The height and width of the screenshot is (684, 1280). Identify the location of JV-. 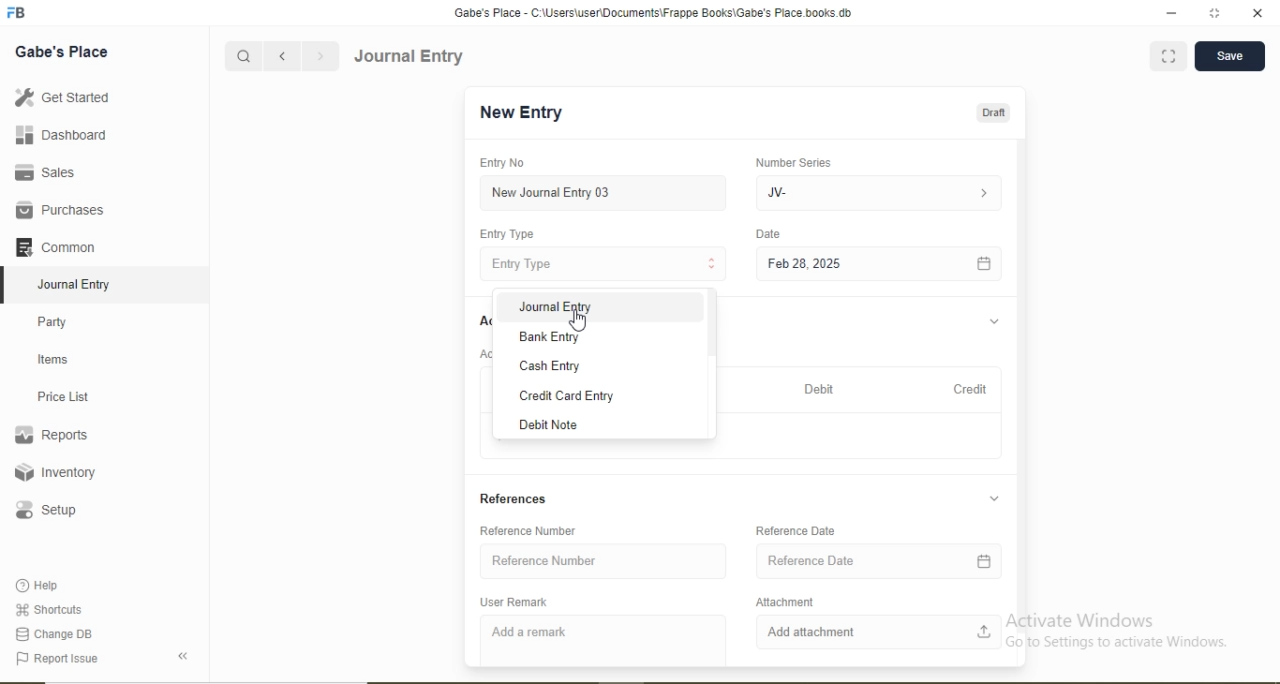
(777, 193).